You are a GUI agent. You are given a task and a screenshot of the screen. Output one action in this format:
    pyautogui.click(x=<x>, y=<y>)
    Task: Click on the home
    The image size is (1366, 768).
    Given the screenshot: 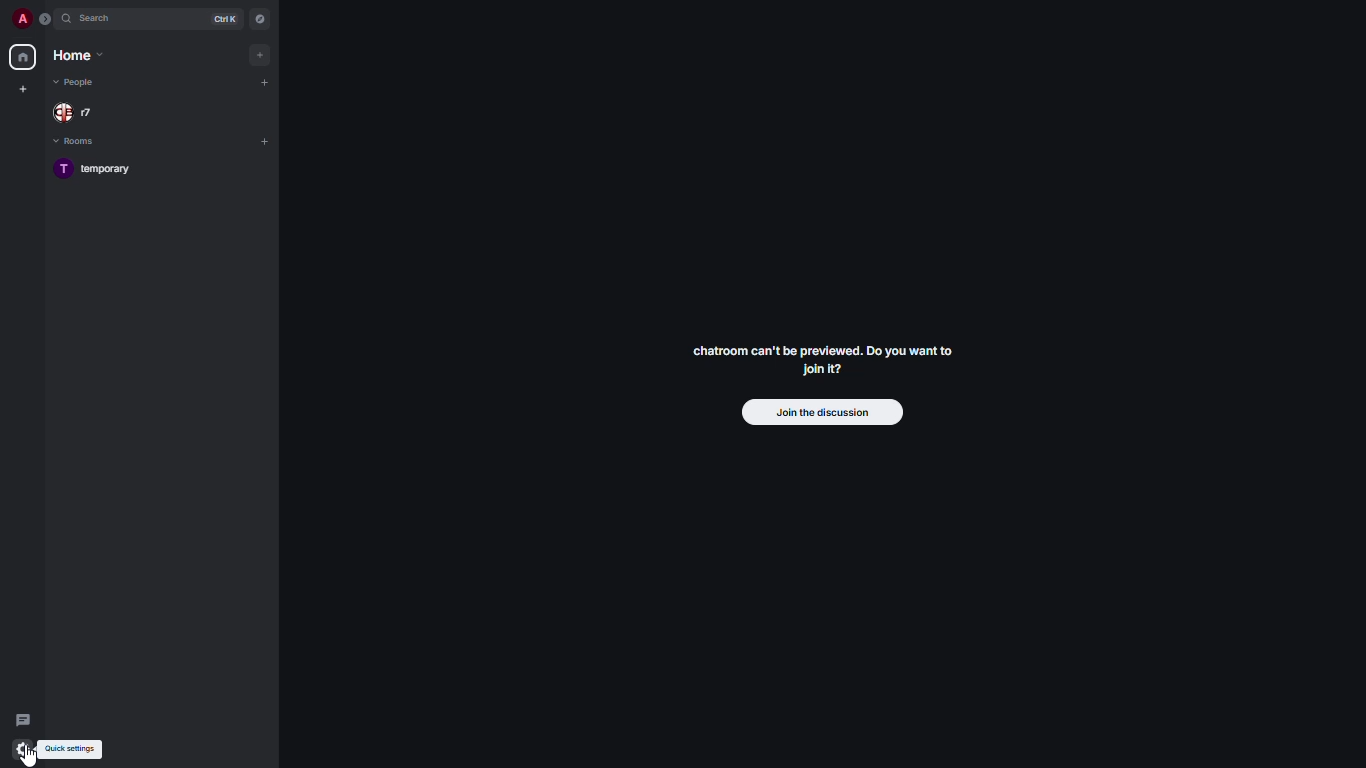 What is the action you would take?
    pyautogui.click(x=22, y=57)
    